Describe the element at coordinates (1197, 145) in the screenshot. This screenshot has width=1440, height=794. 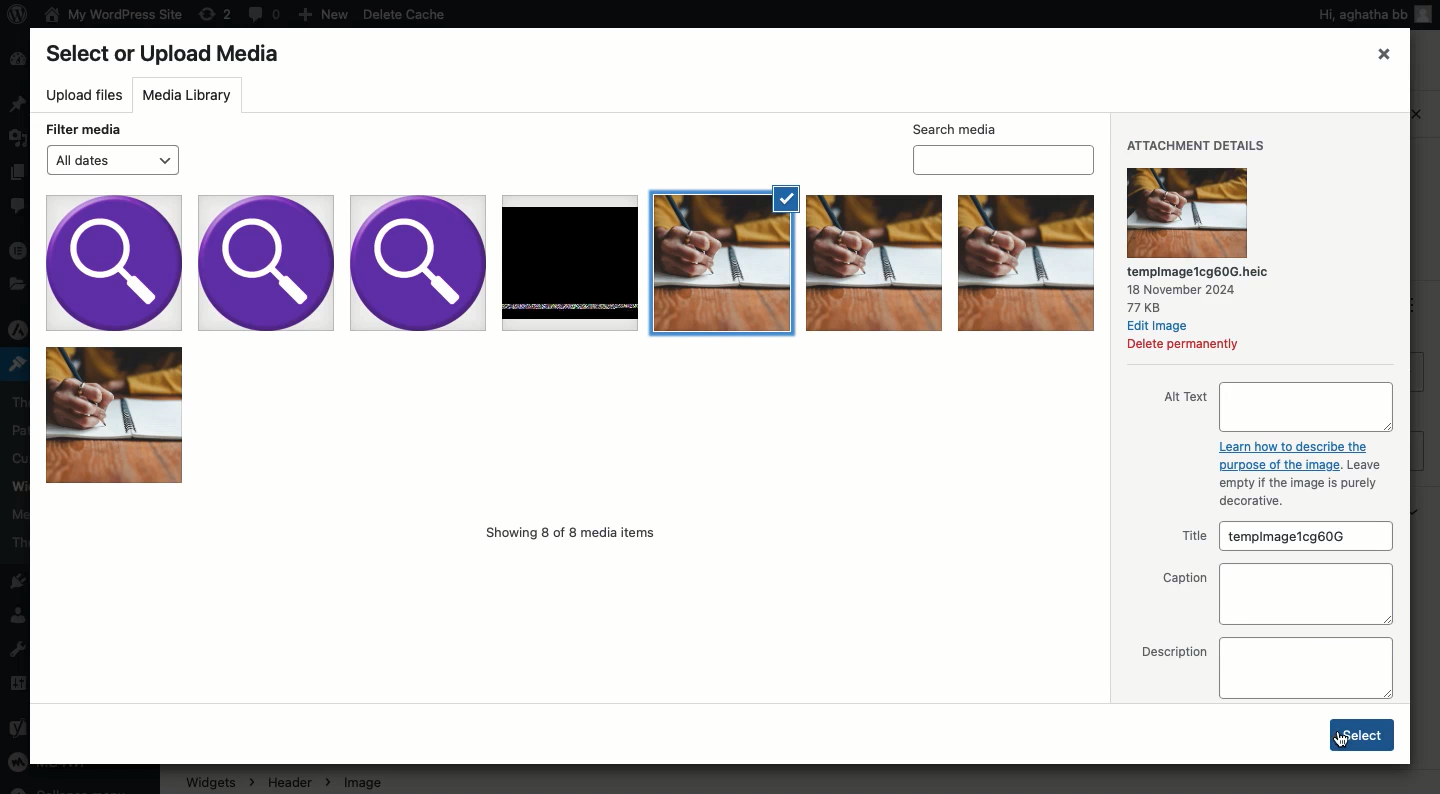
I see `Attachment details` at that location.